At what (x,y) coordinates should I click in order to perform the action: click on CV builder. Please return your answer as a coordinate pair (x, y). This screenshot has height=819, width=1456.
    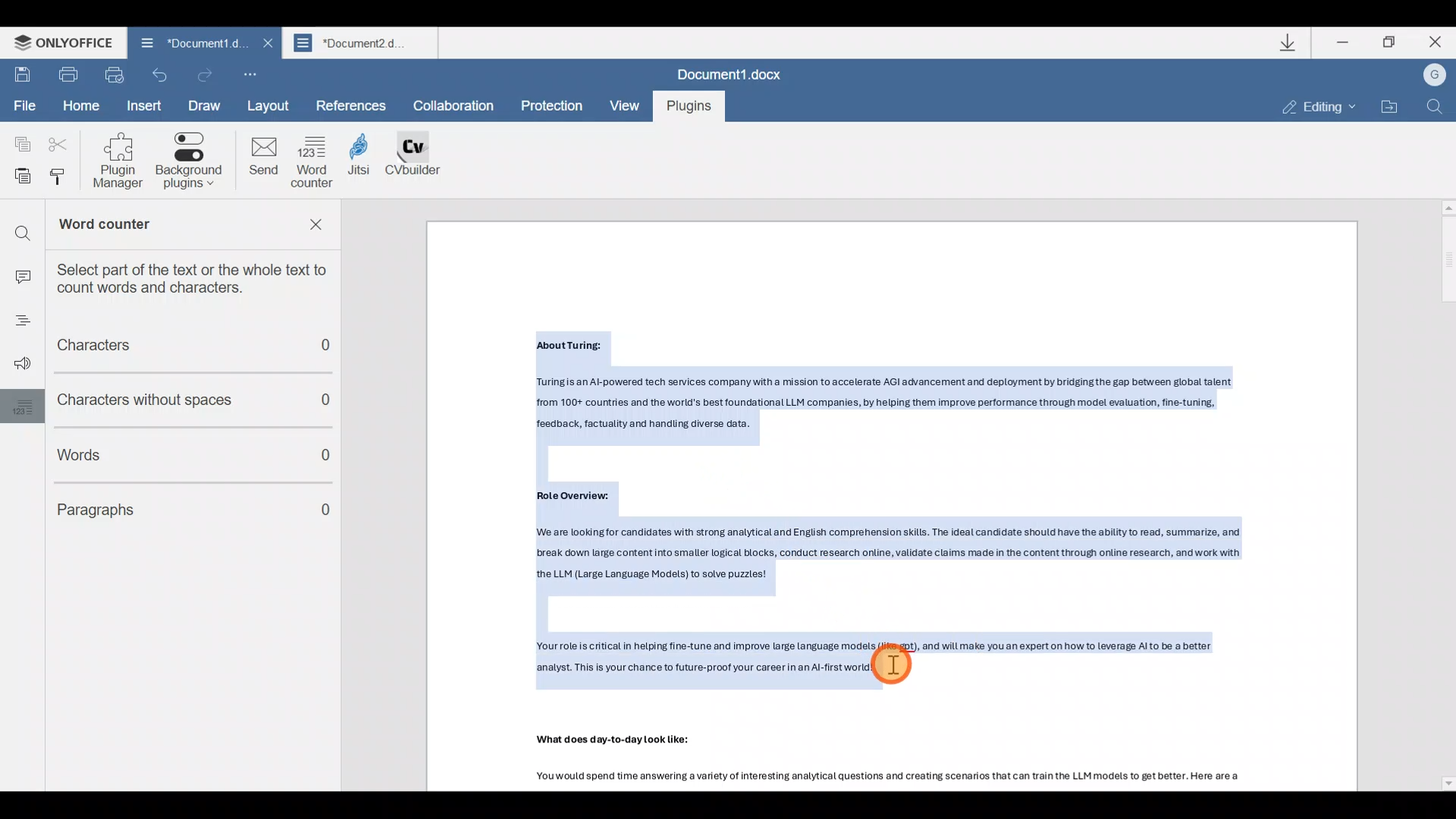
    Looking at the image, I should click on (422, 162).